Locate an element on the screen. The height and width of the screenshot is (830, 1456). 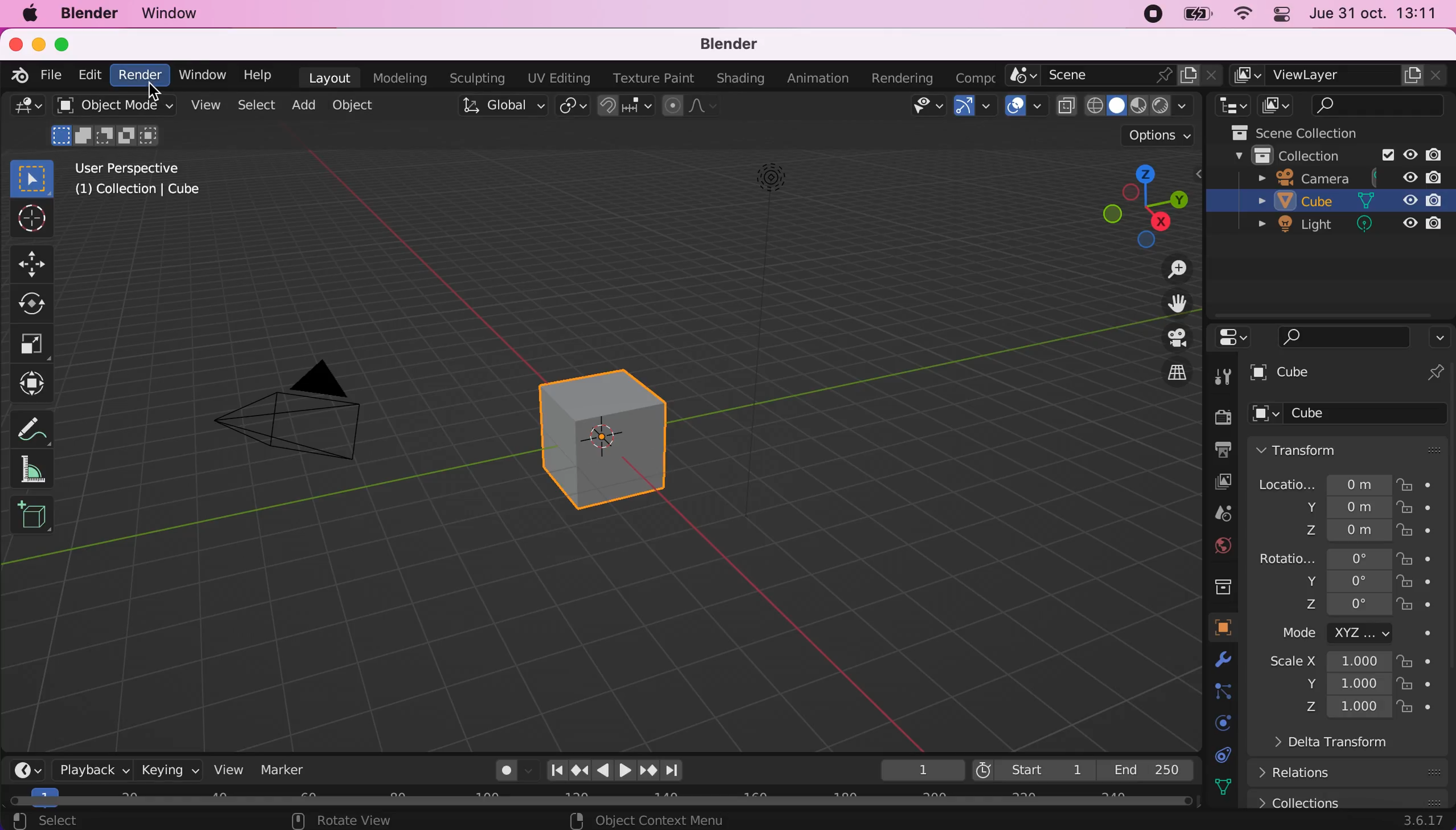
rotate is located at coordinates (34, 302).